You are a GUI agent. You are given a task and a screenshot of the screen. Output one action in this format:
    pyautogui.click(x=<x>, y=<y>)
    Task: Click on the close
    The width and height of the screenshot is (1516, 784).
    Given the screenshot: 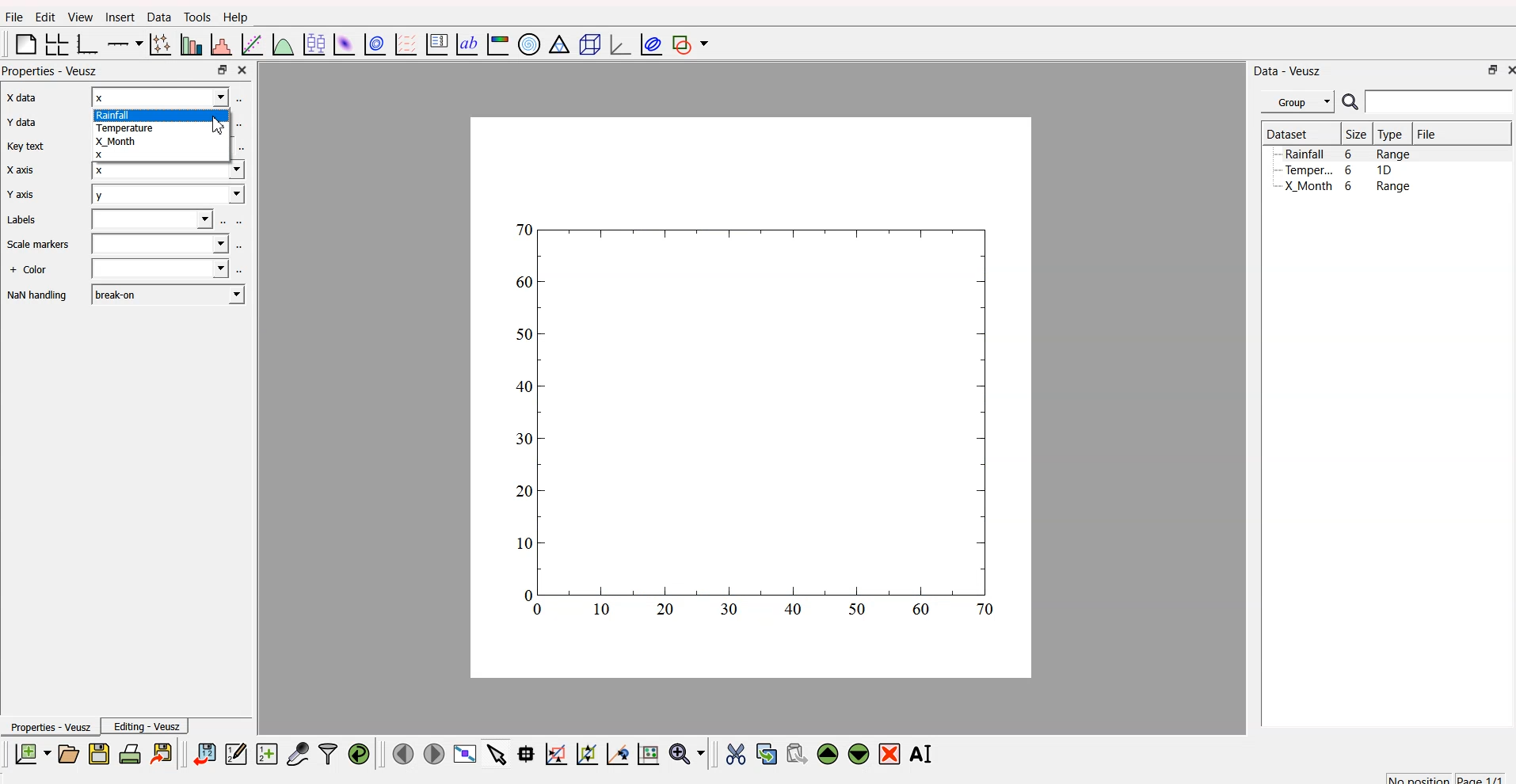 What is the action you would take?
    pyautogui.click(x=1508, y=71)
    